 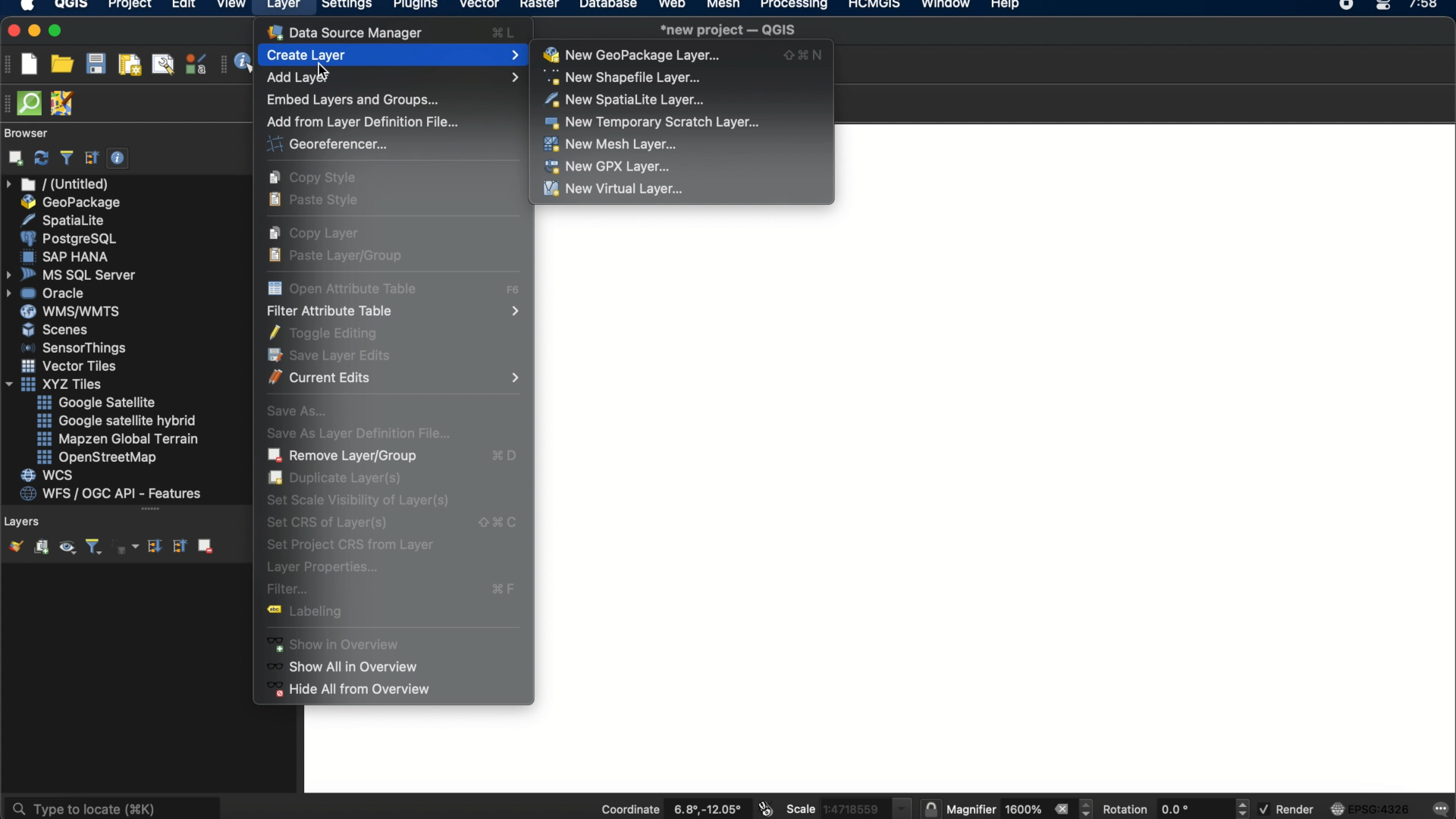 What do you see at coordinates (929, 807) in the screenshot?
I see `lock the scale to use the magnifier` at bounding box center [929, 807].